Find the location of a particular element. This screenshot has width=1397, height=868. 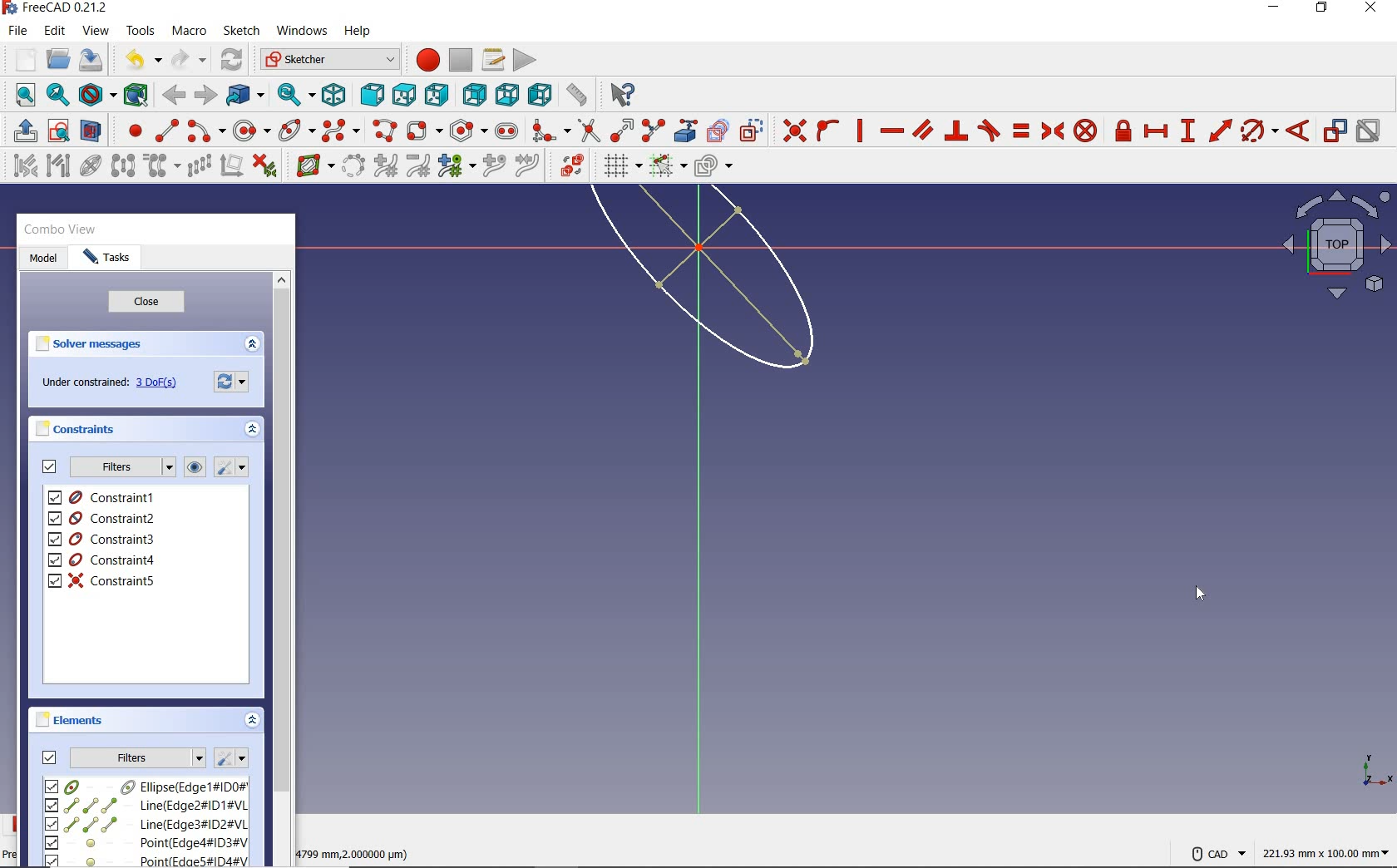

CAD Navigation Style is located at coordinates (1214, 851).